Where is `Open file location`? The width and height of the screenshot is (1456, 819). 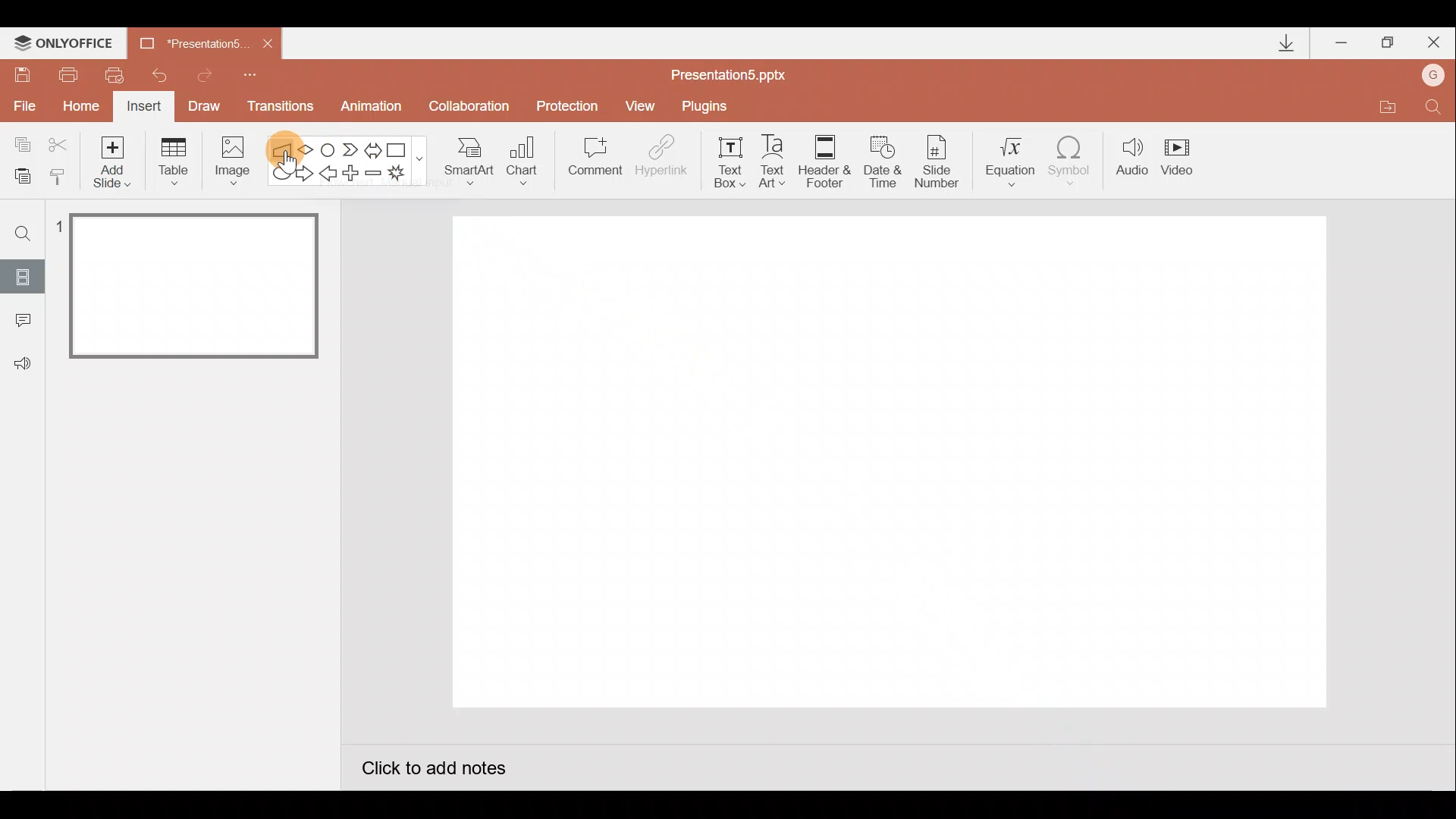 Open file location is located at coordinates (1387, 109).